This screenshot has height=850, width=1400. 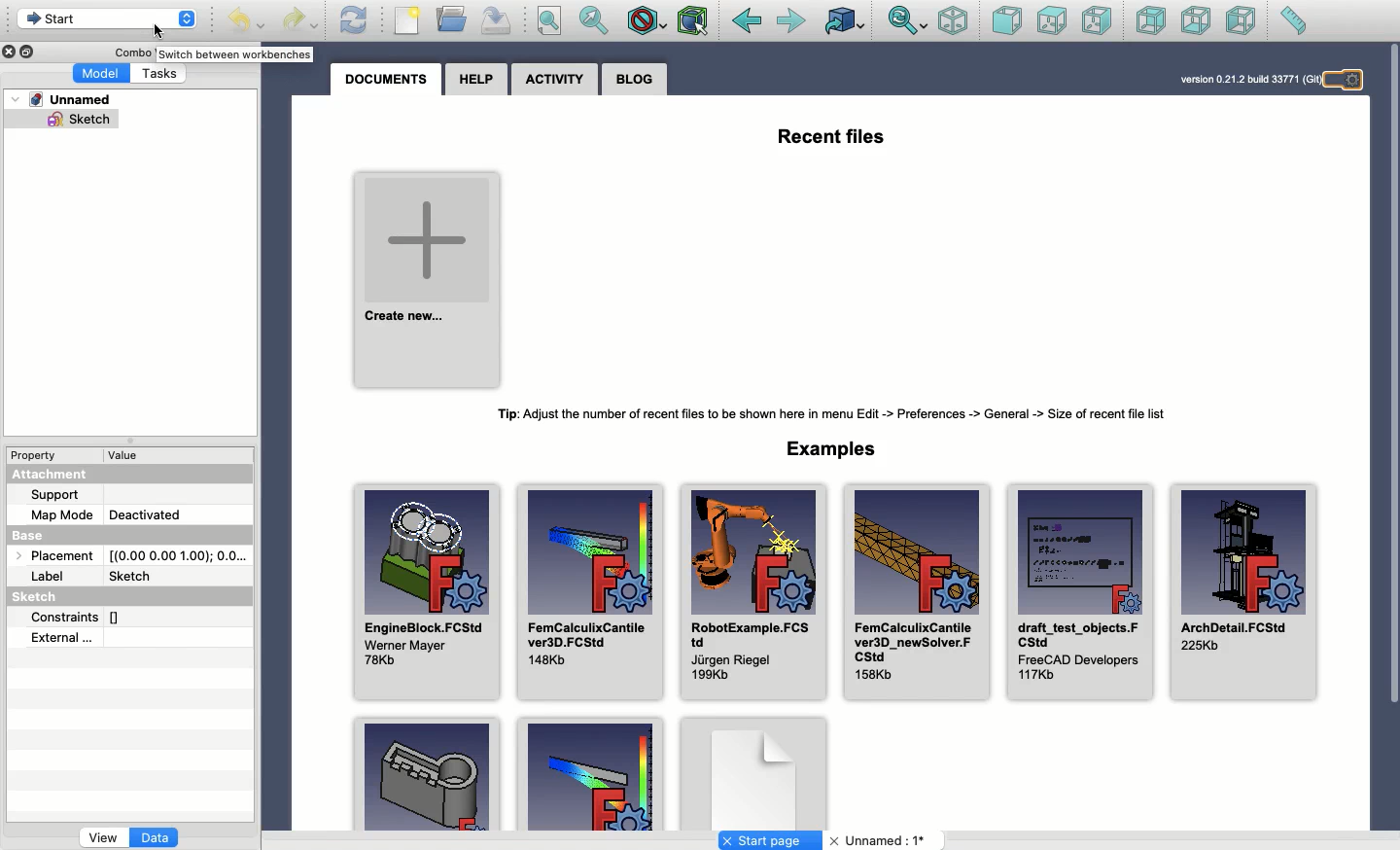 What do you see at coordinates (427, 593) in the screenshot?
I see `EngineBlock` at bounding box center [427, 593].